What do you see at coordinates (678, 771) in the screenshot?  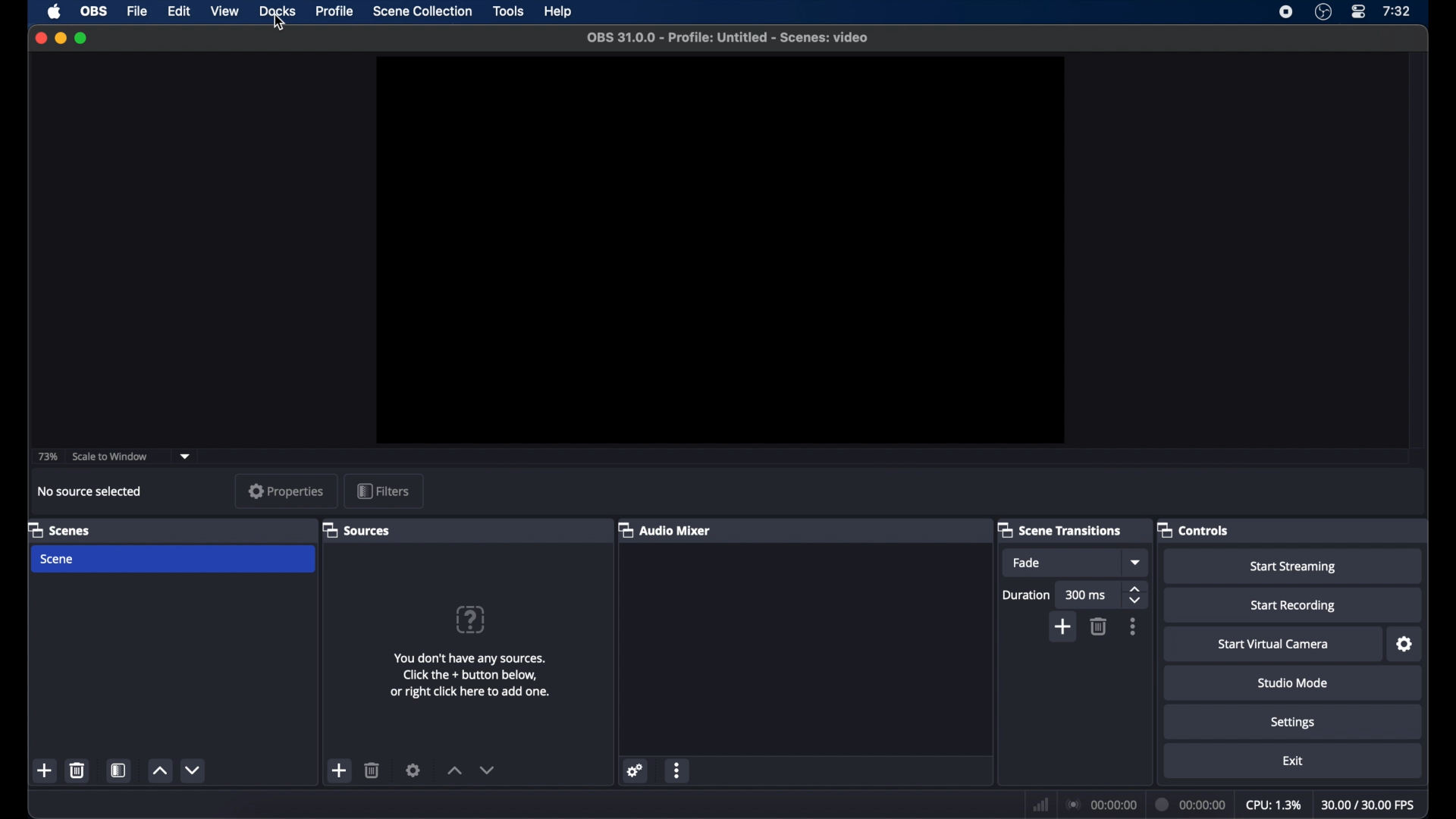 I see `more options` at bounding box center [678, 771].